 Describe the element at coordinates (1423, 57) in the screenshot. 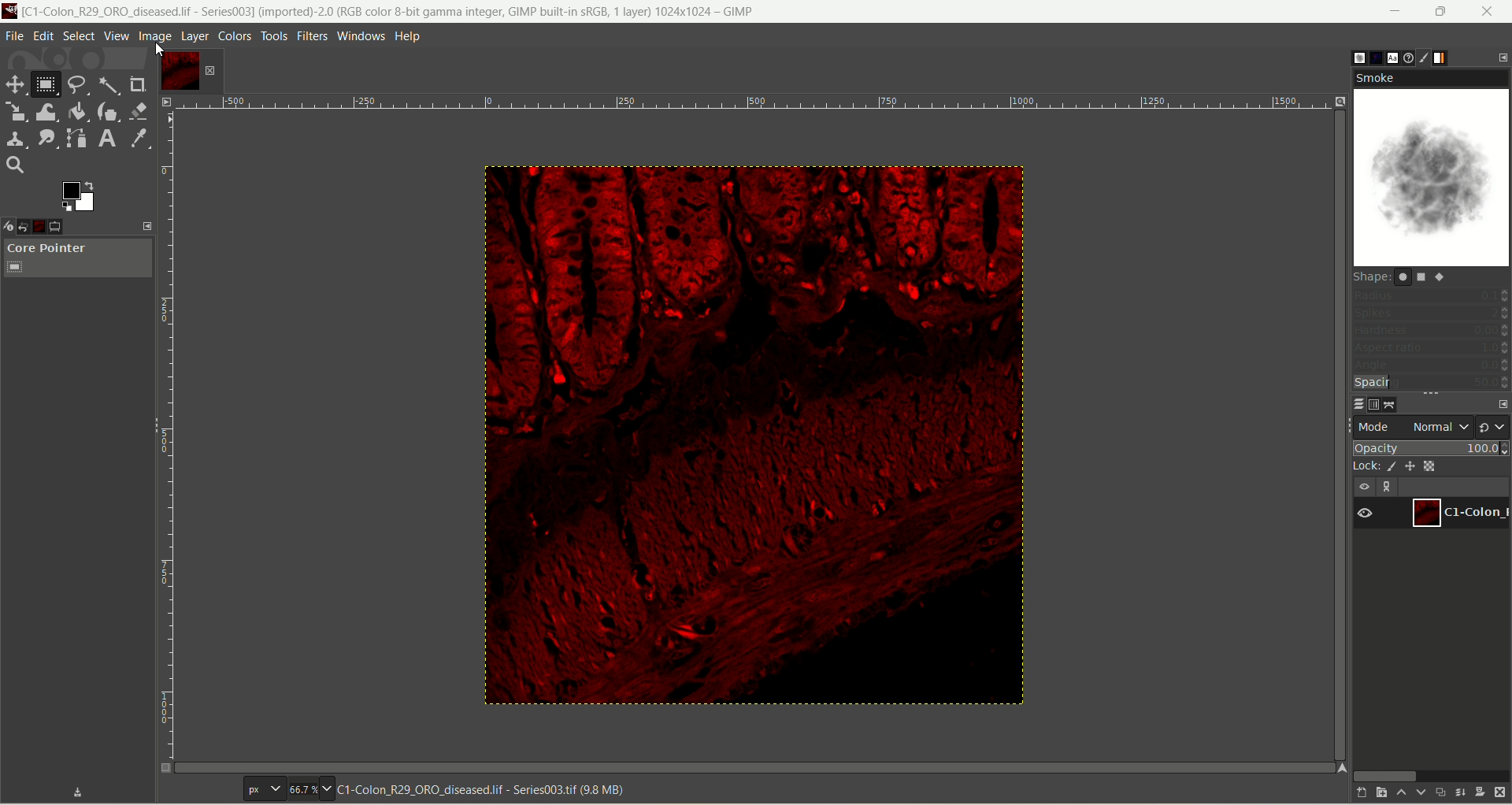

I see `brush editor` at that location.